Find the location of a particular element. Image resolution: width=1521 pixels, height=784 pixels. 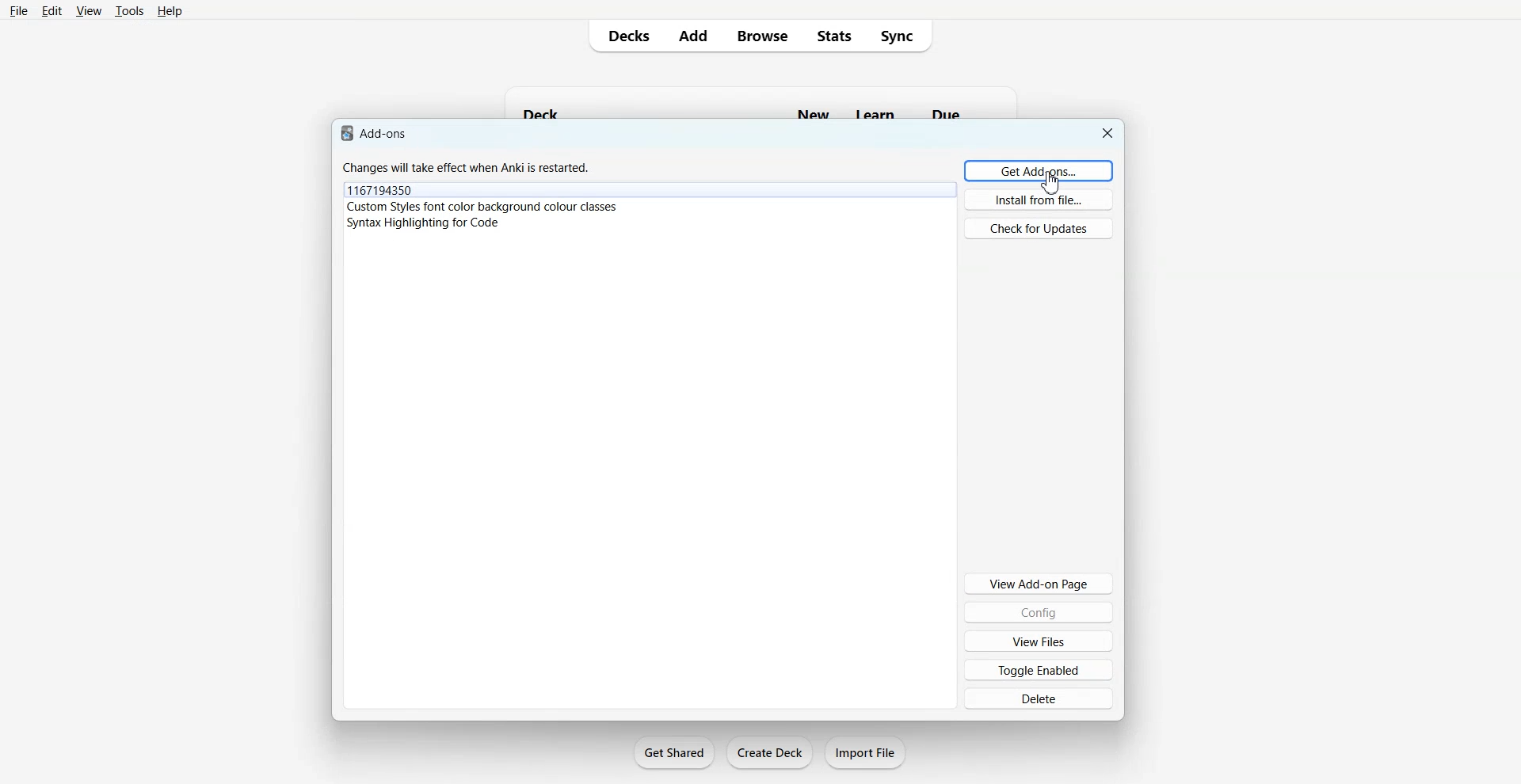

Toggle Enabled is located at coordinates (1040, 669).